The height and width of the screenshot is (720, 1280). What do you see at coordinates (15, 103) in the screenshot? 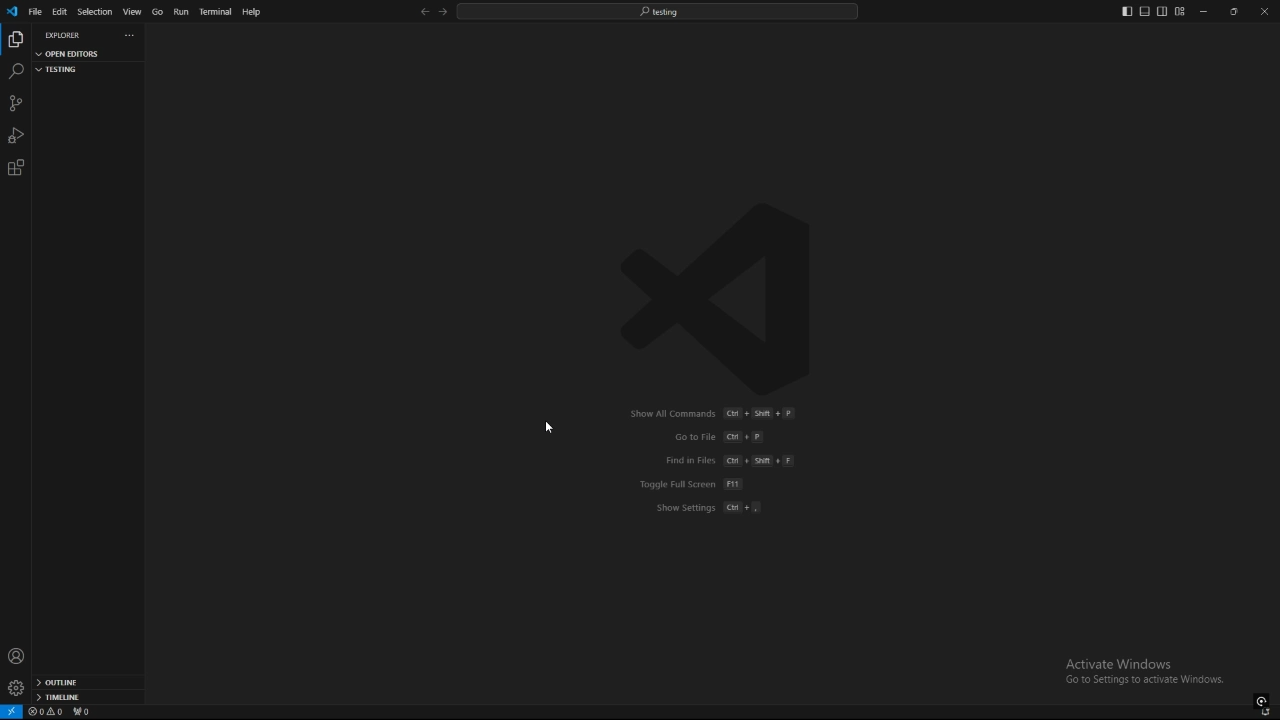
I see `source control` at bounding box center [15, 103].